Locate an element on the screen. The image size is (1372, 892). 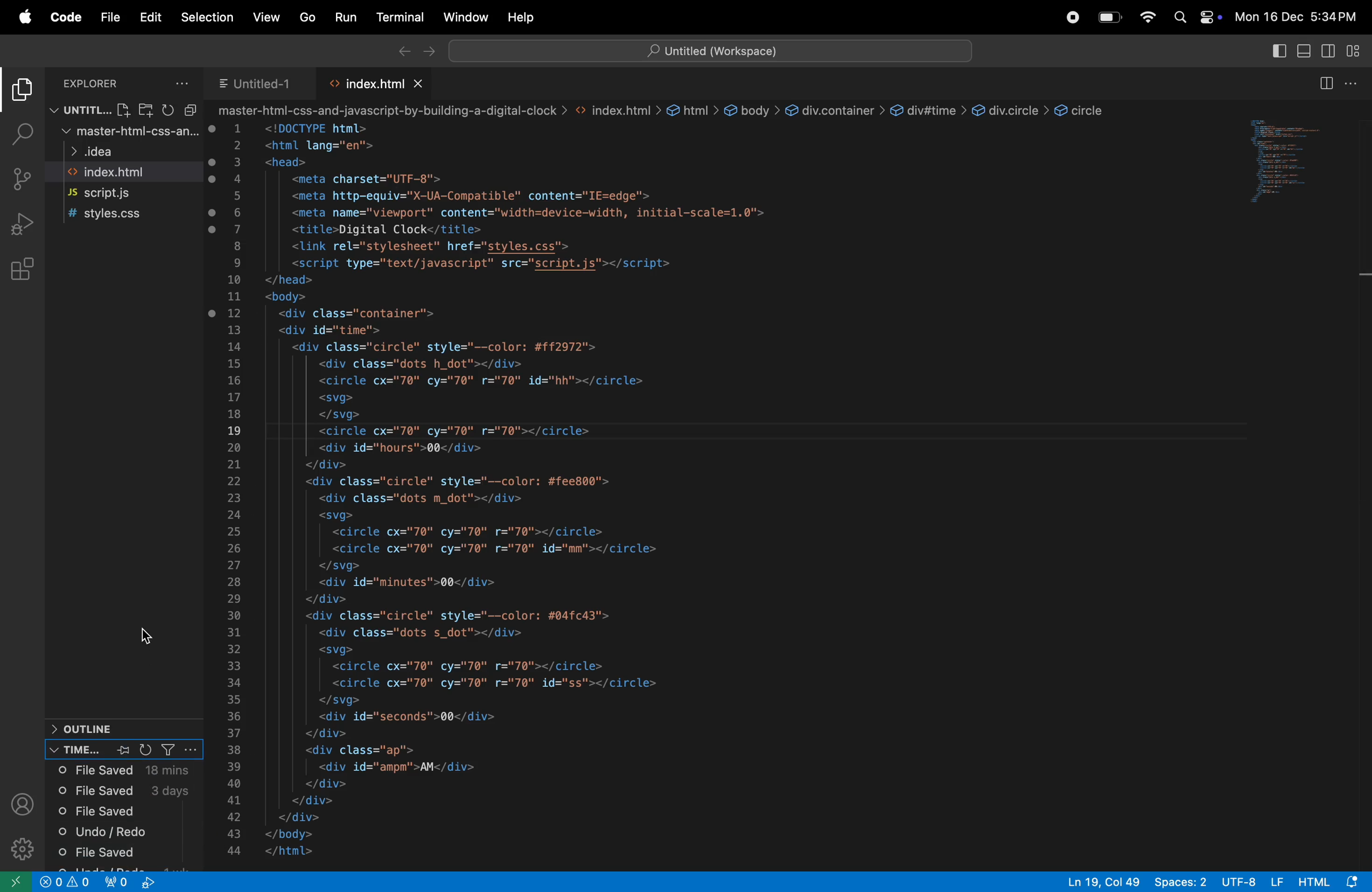
</body> is located at coordinates (295, 834).